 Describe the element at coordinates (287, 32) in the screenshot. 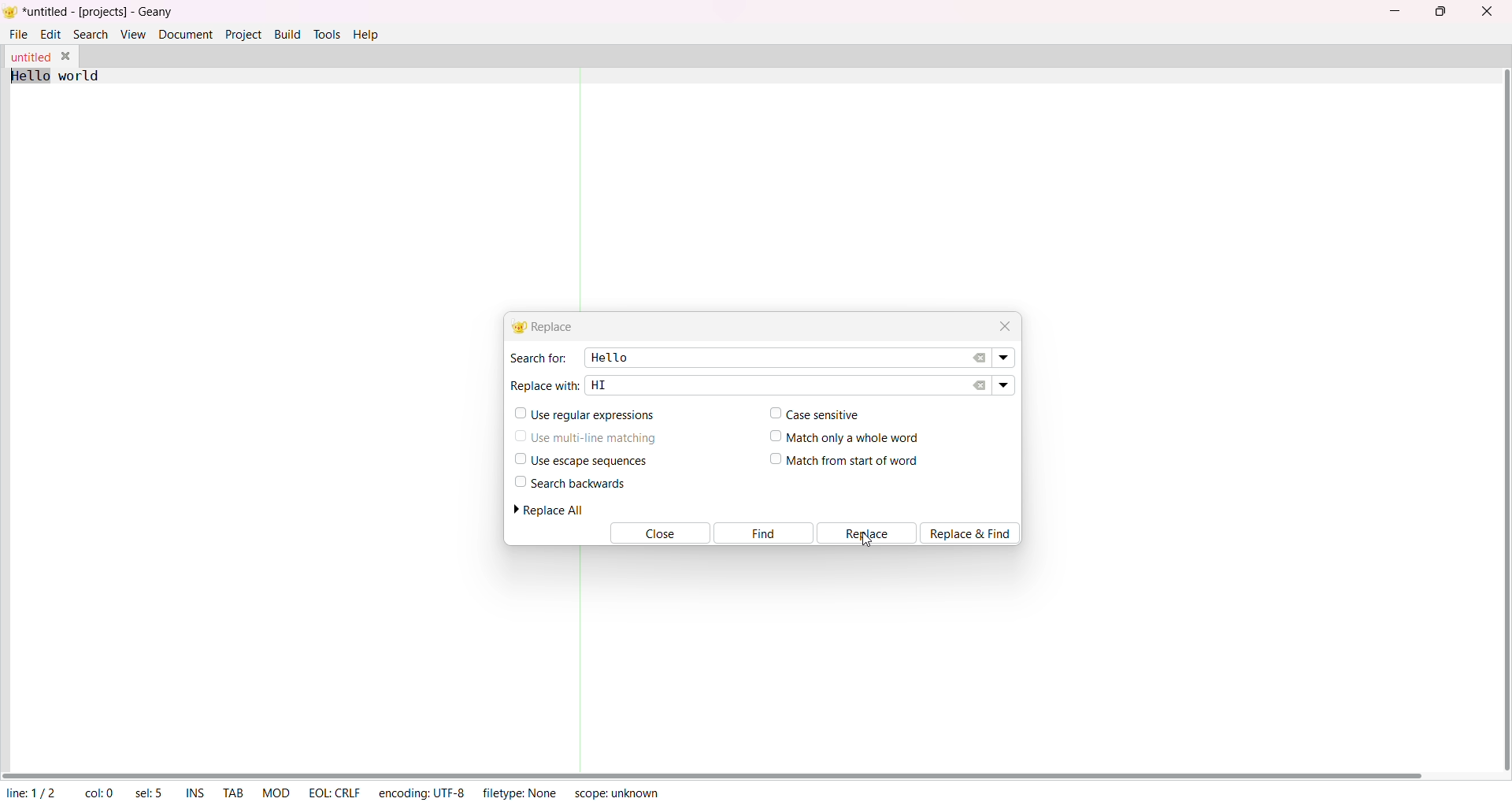

I see `build` at that location.